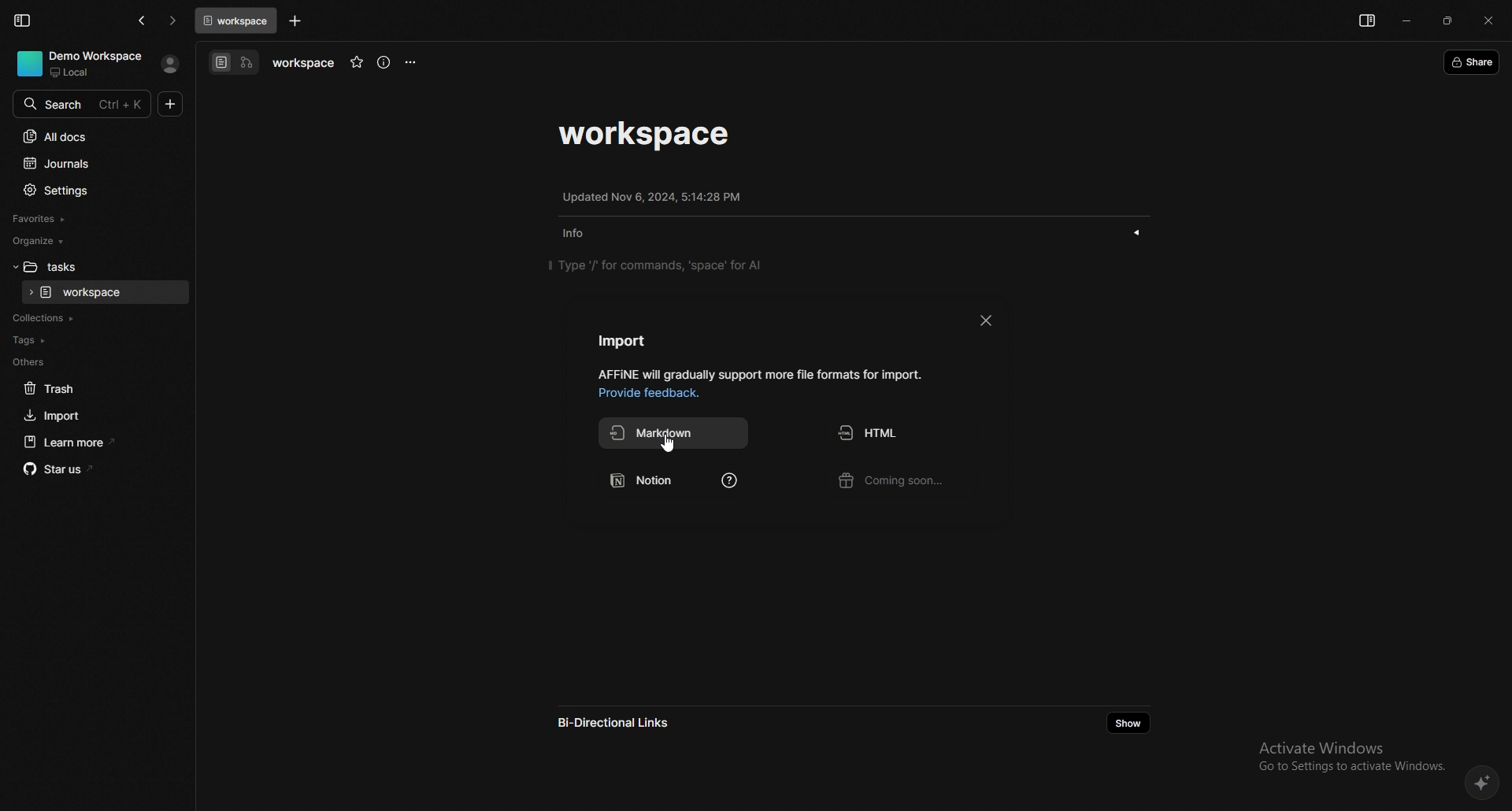 The image size is (1512, 811). Describe the element at coordinates (302, 64) in the screenshot. I see `task name` at that location.